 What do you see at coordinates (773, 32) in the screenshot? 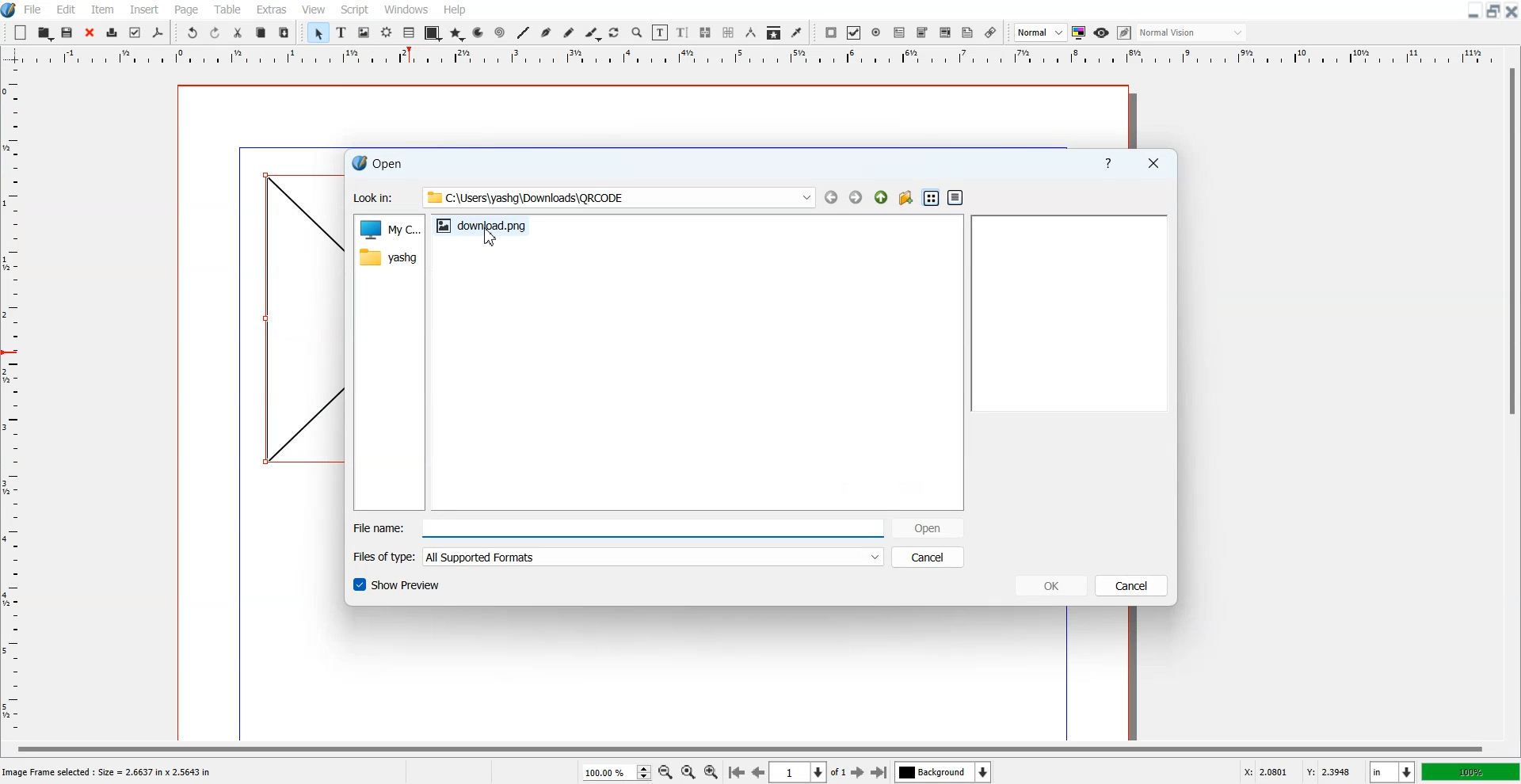
I see `Copy Item Properties` at bounding box center [773, 32].